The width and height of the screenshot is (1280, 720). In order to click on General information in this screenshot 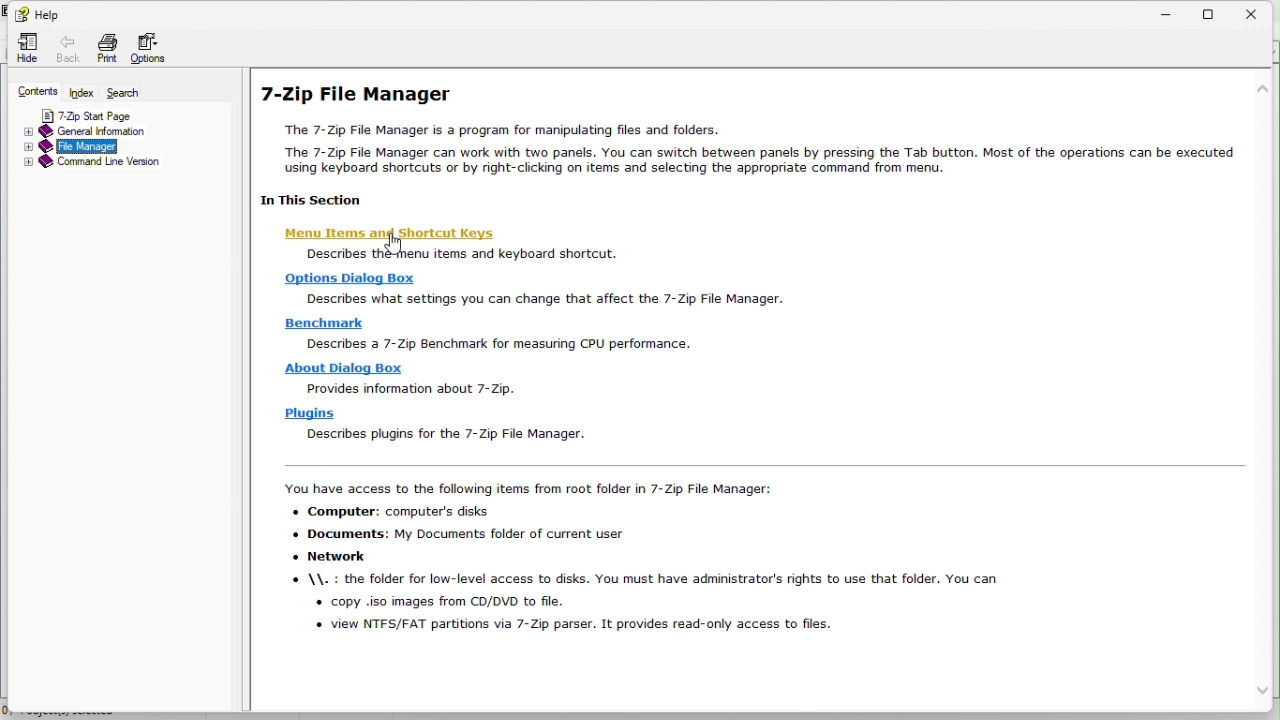, I will do `click(92, 130)`.